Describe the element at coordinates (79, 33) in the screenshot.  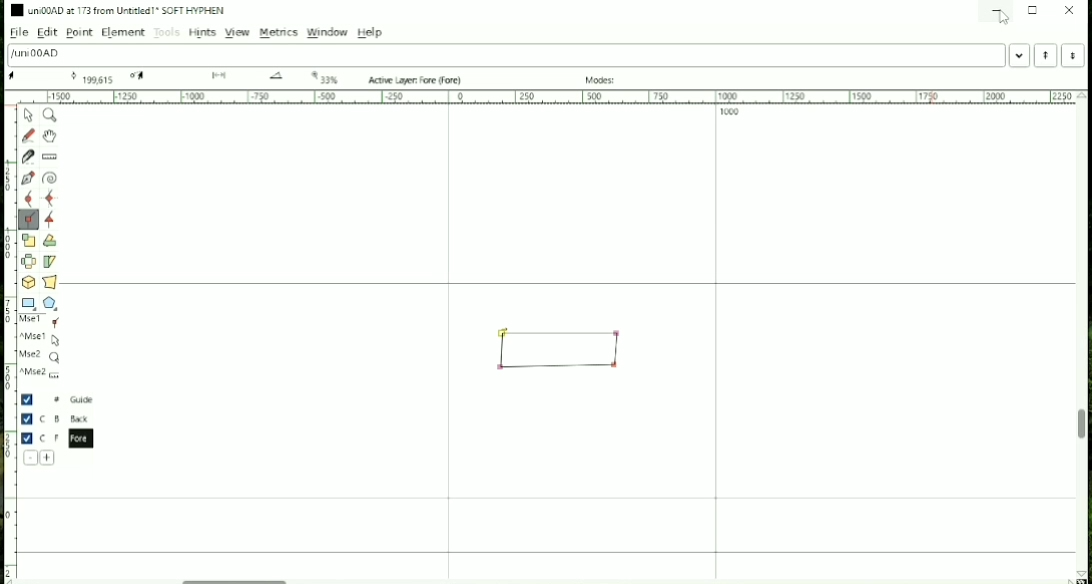
I see `Point` at that location.